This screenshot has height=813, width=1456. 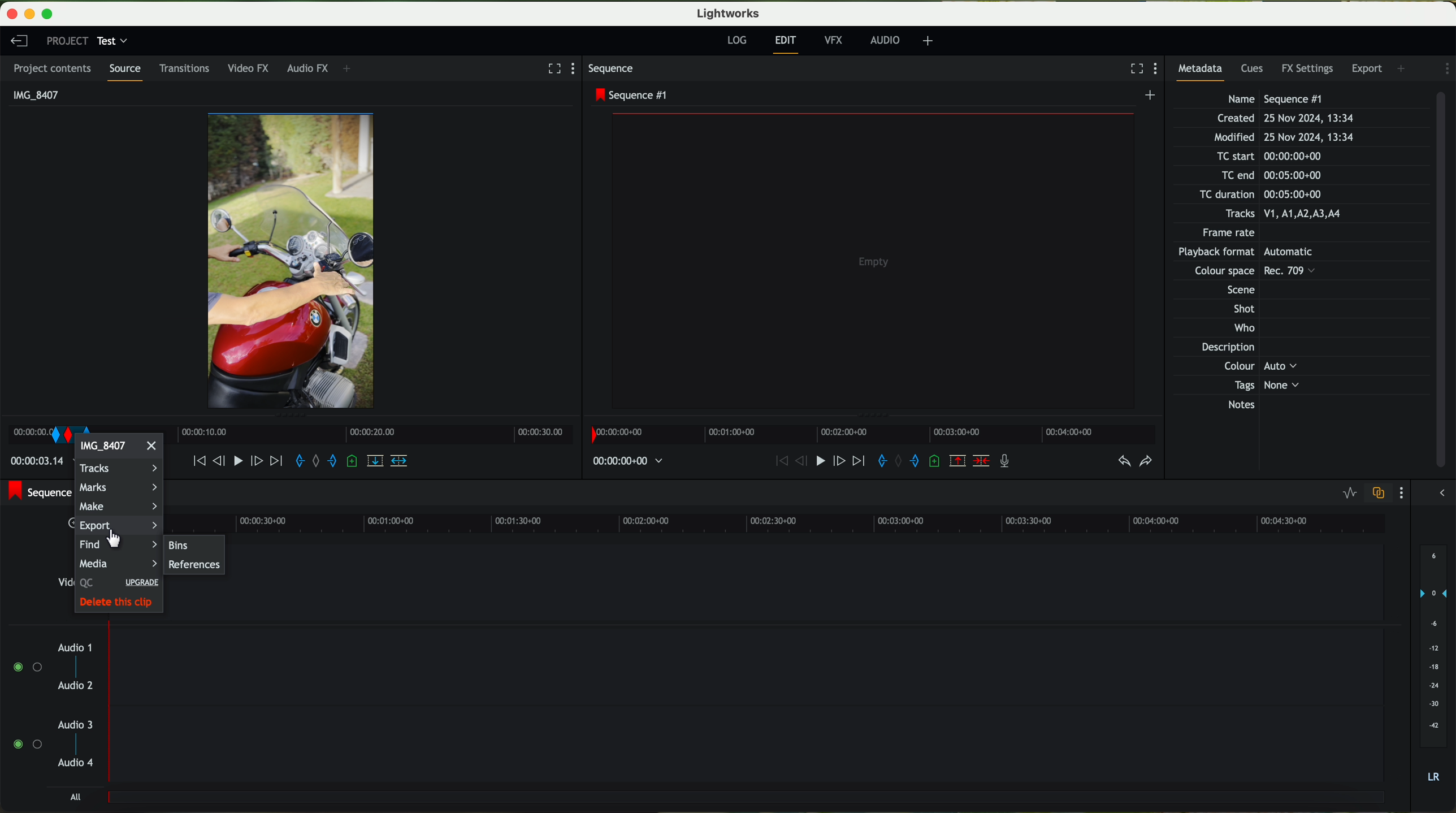 What do you see at coordinates (259, 462) in the screenshot?
I see `nudge one frame forward` at bounding box center [259, 462].